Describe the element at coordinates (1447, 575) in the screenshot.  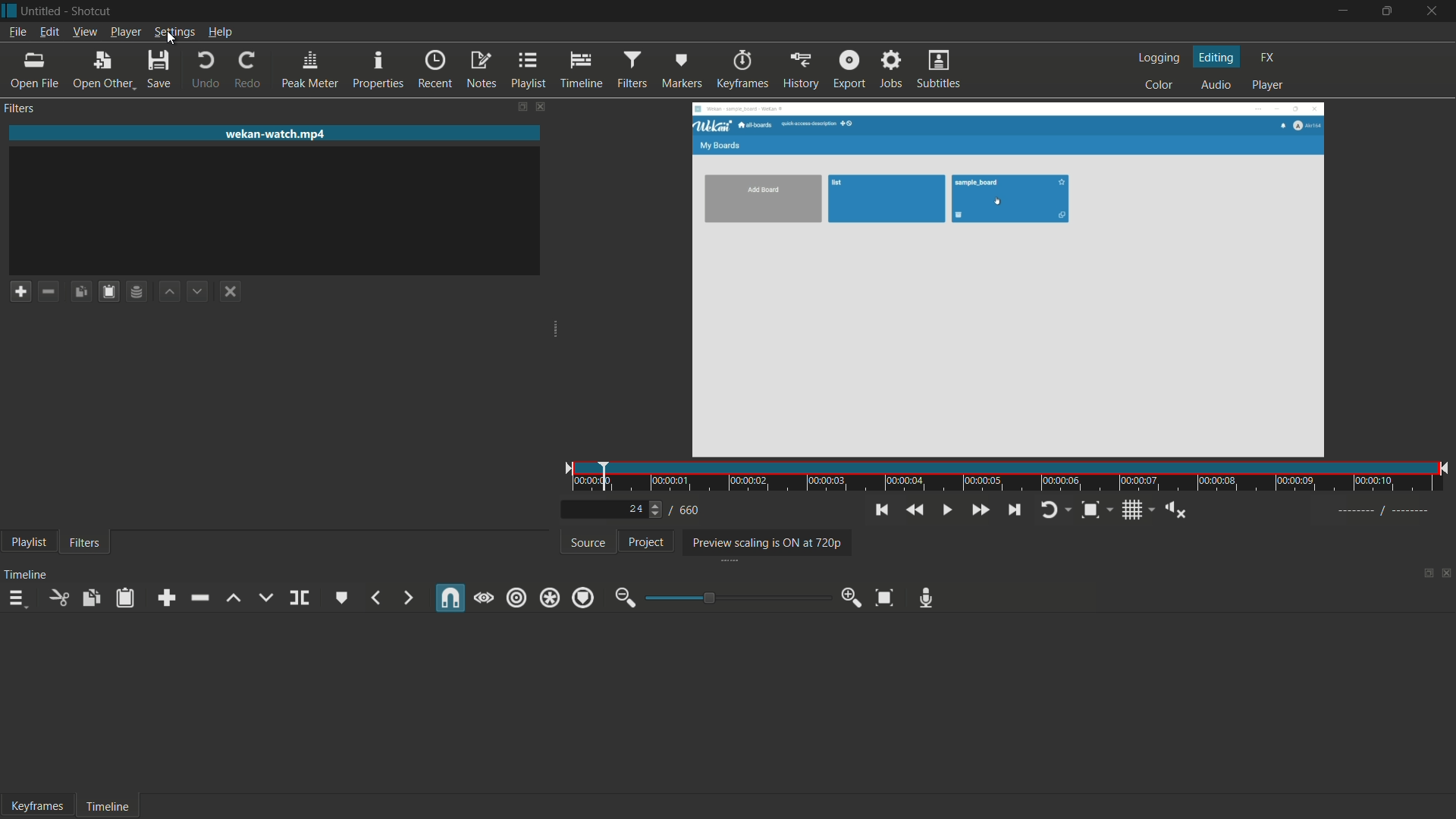
I see `close timeline` at that location.